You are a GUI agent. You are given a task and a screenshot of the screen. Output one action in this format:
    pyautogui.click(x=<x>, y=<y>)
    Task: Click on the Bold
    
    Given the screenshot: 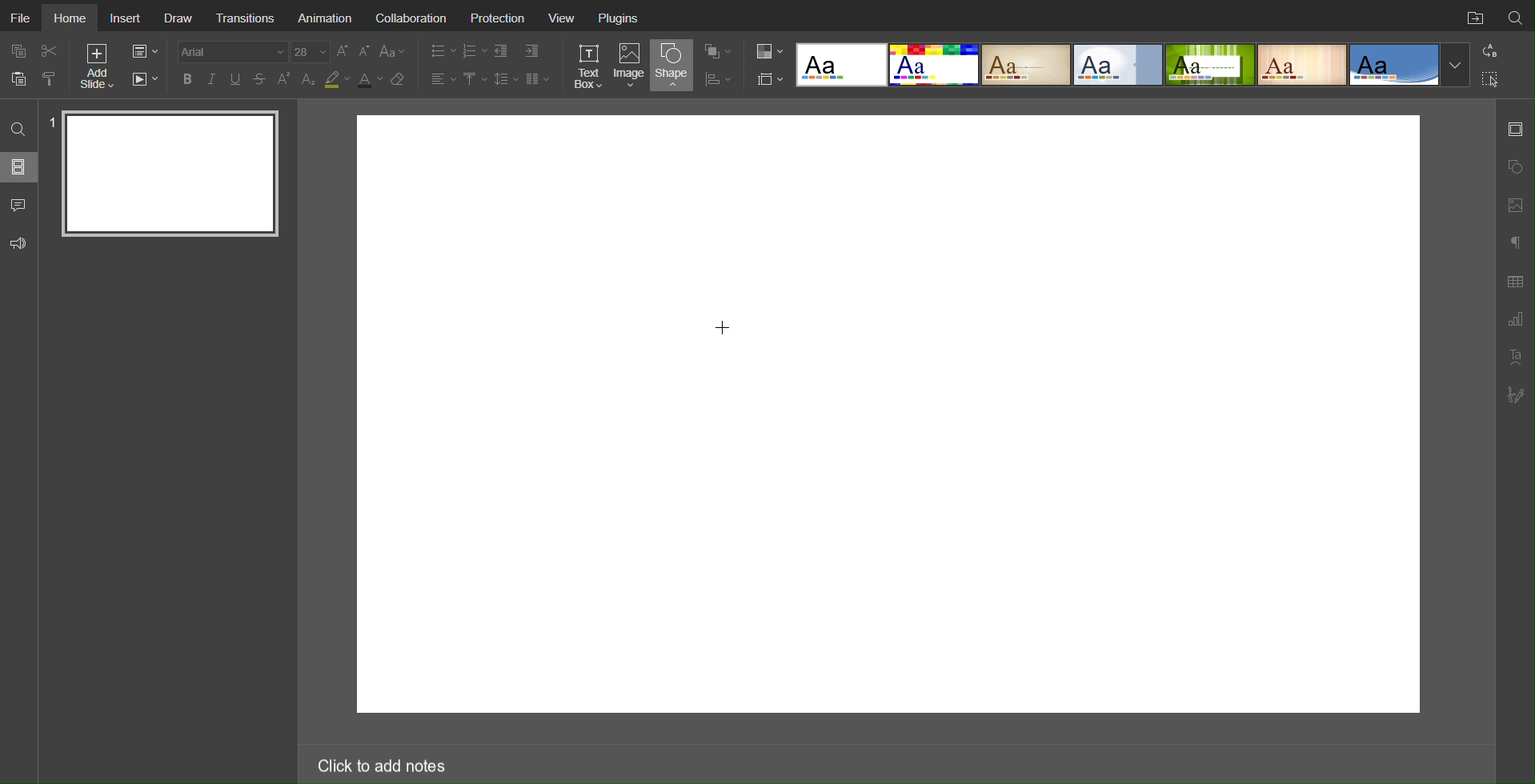 What is the action you would take?
    pyautogui.click(x=187, y=78)
    